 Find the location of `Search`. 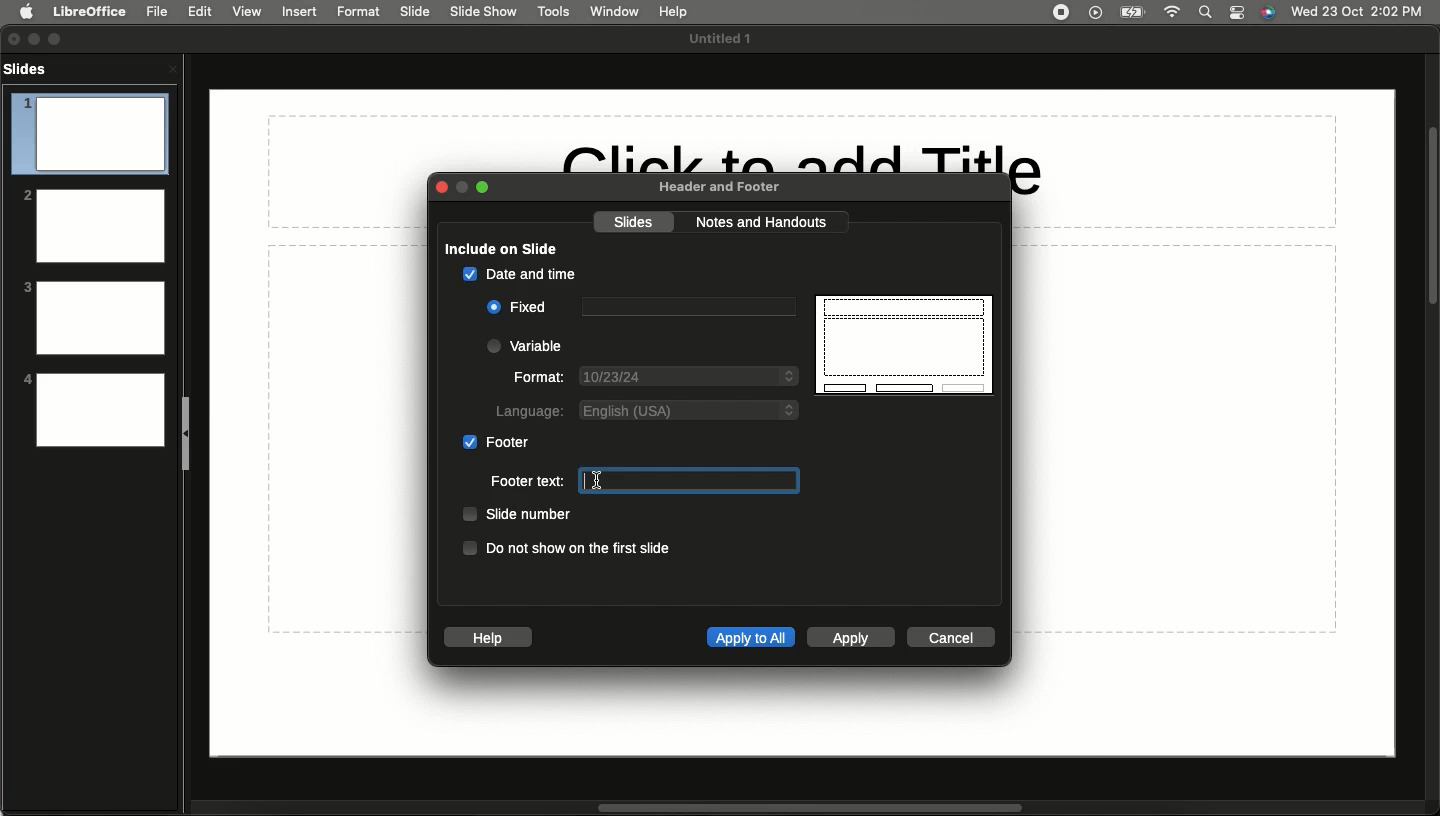

Search is located at coordinates (1206, 12).